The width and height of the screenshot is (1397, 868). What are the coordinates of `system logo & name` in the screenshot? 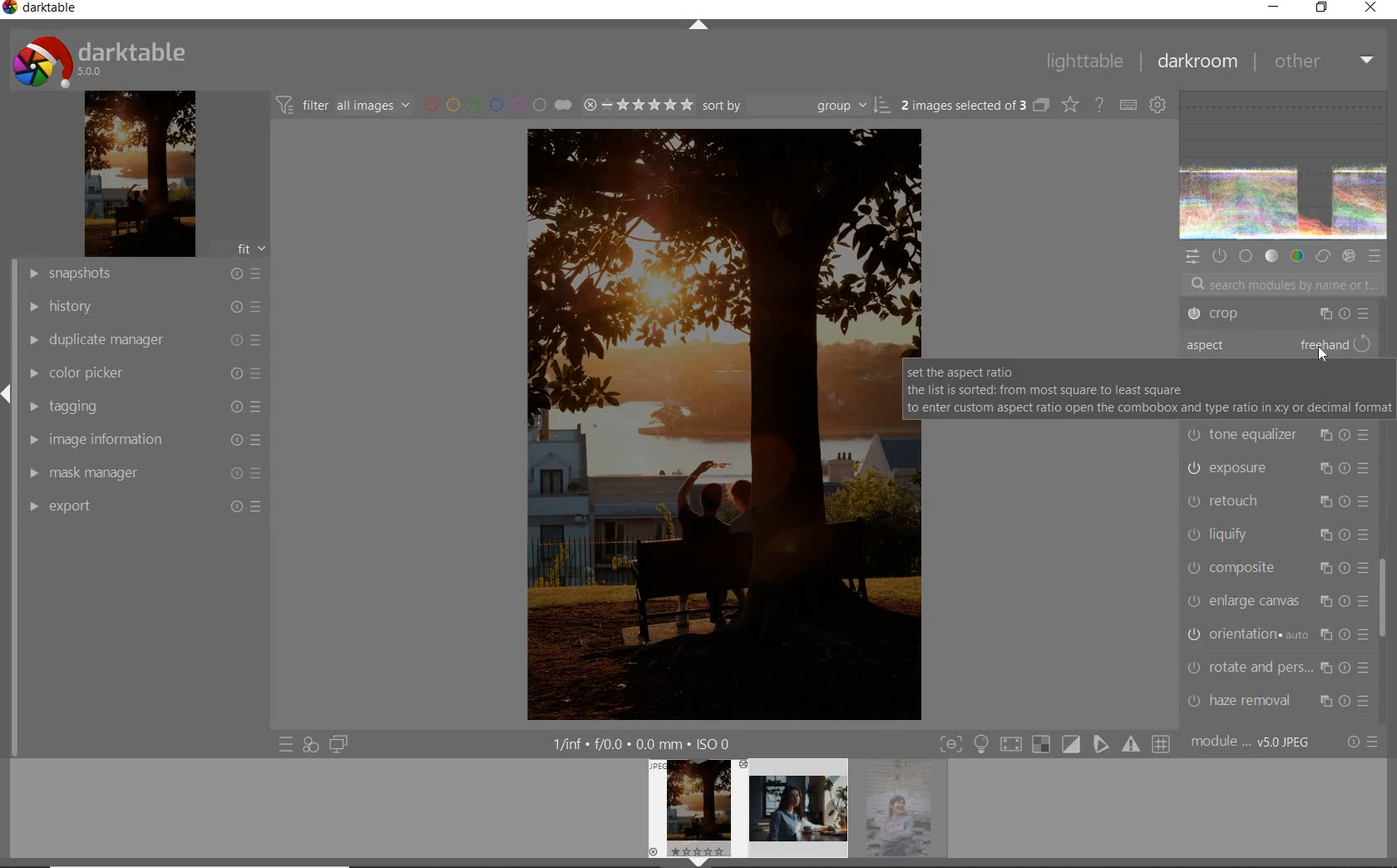 It's located at (103, 62).